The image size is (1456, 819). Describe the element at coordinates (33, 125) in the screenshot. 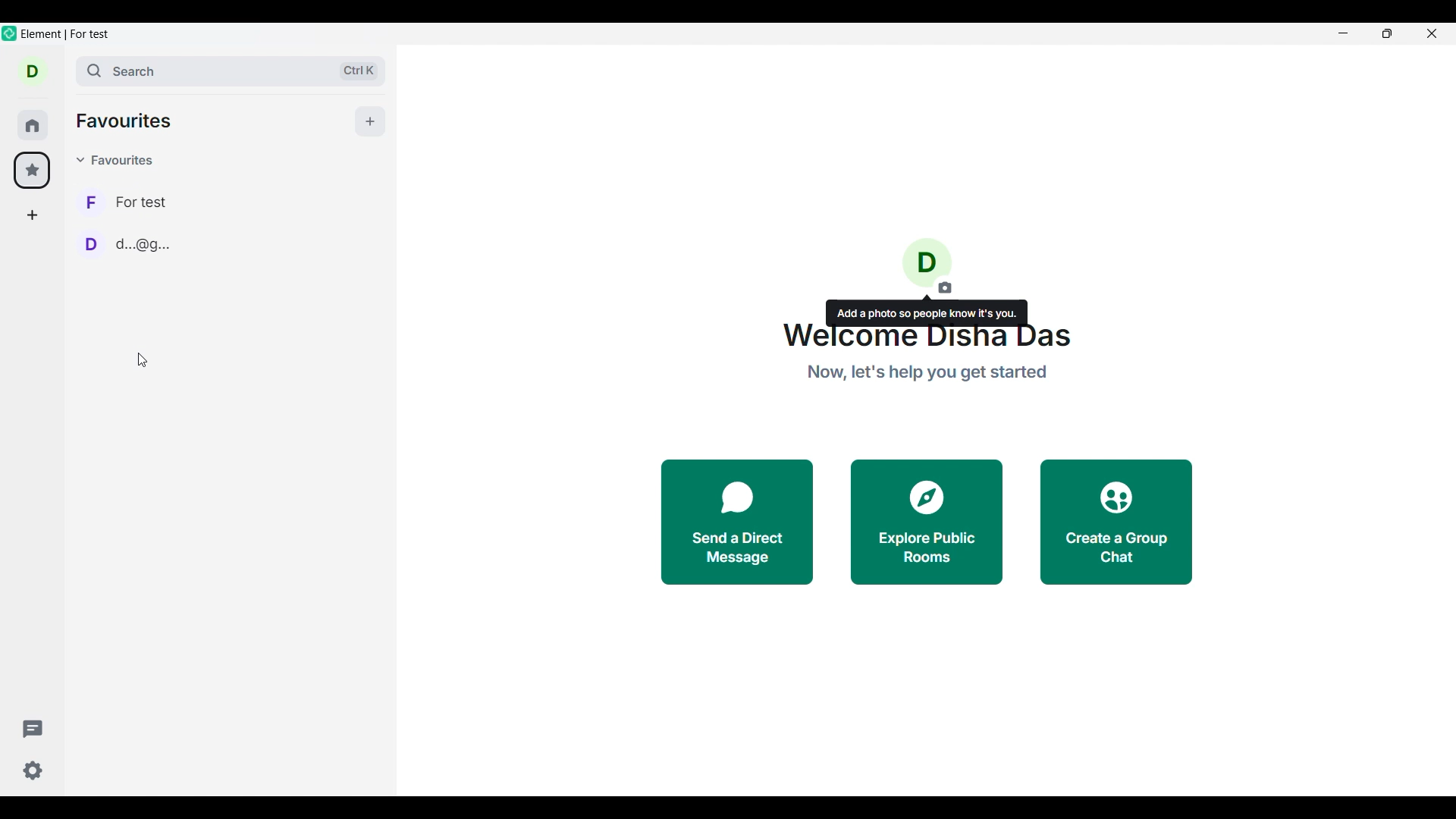

I see `home` at that location.